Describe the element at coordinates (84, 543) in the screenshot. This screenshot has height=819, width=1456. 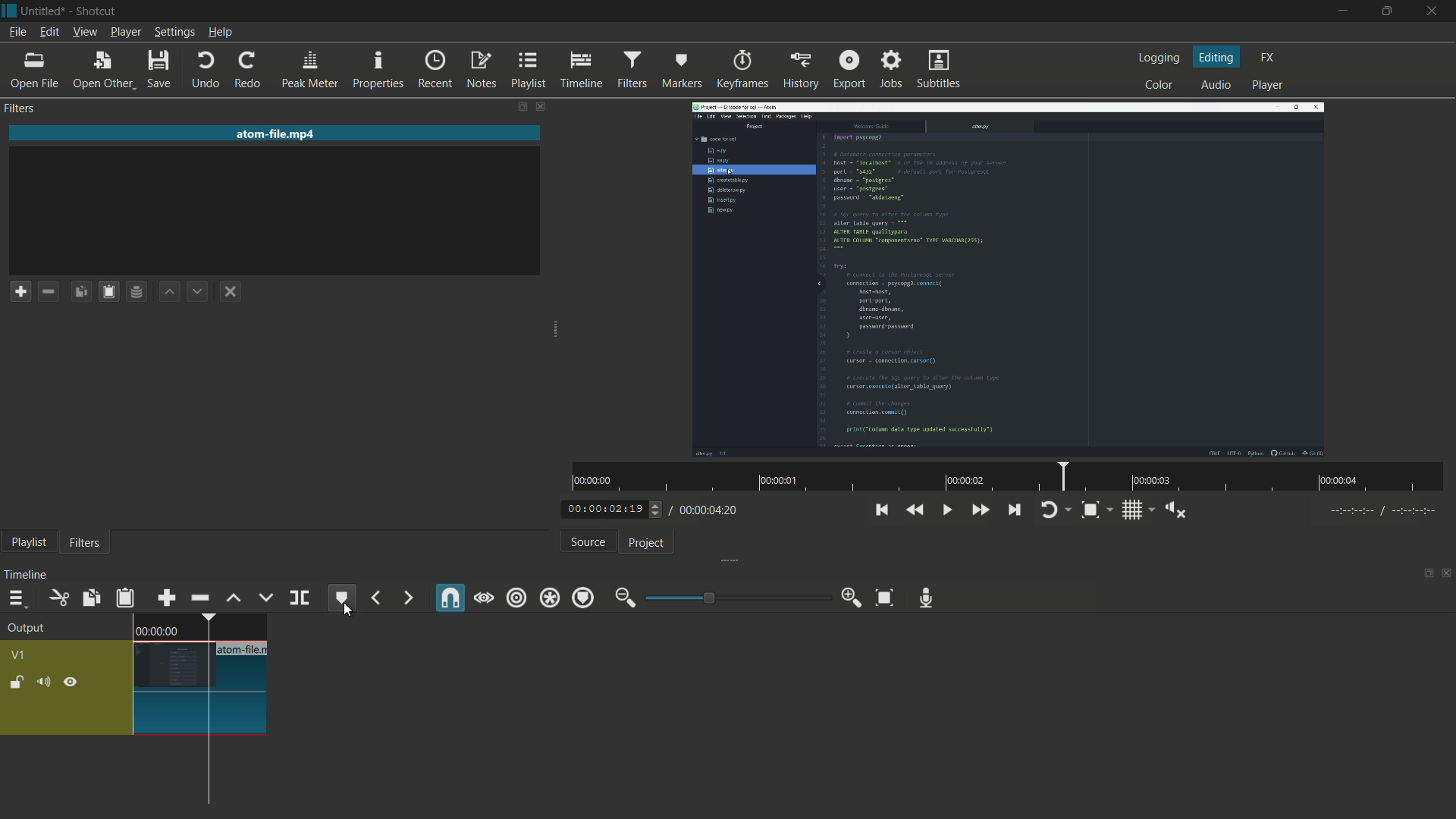
I see `filters` at that location.